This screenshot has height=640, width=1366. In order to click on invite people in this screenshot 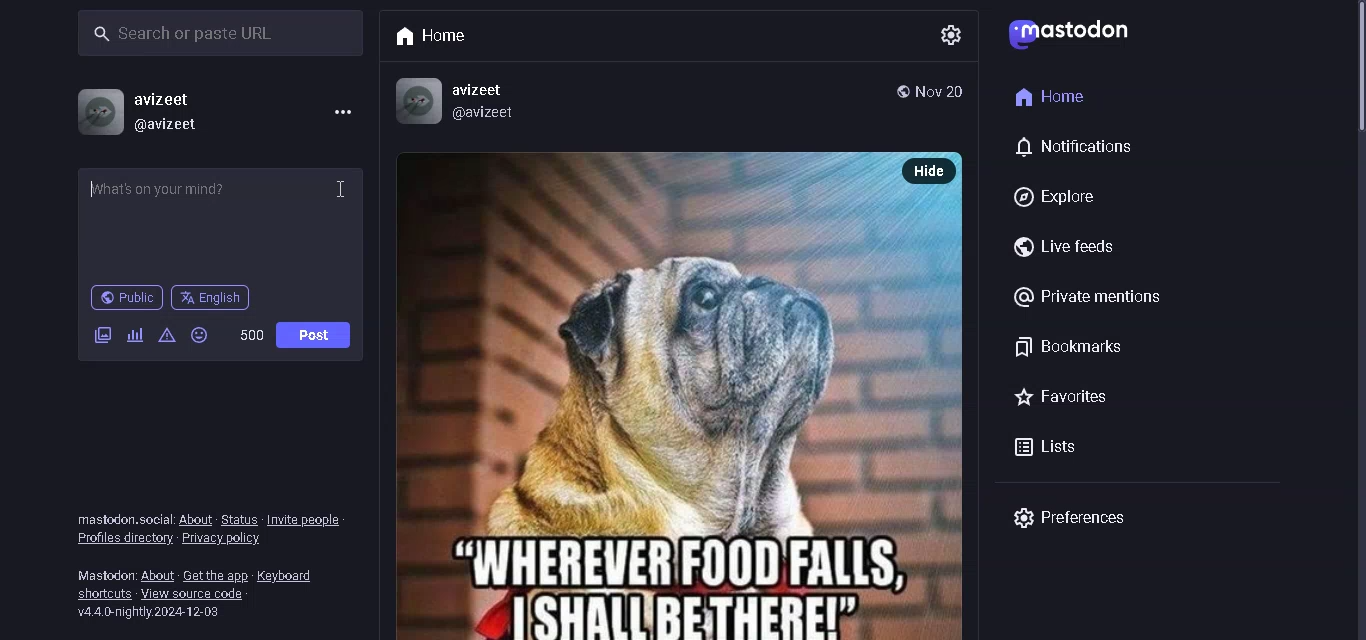, I will do `click(308, 520)`.